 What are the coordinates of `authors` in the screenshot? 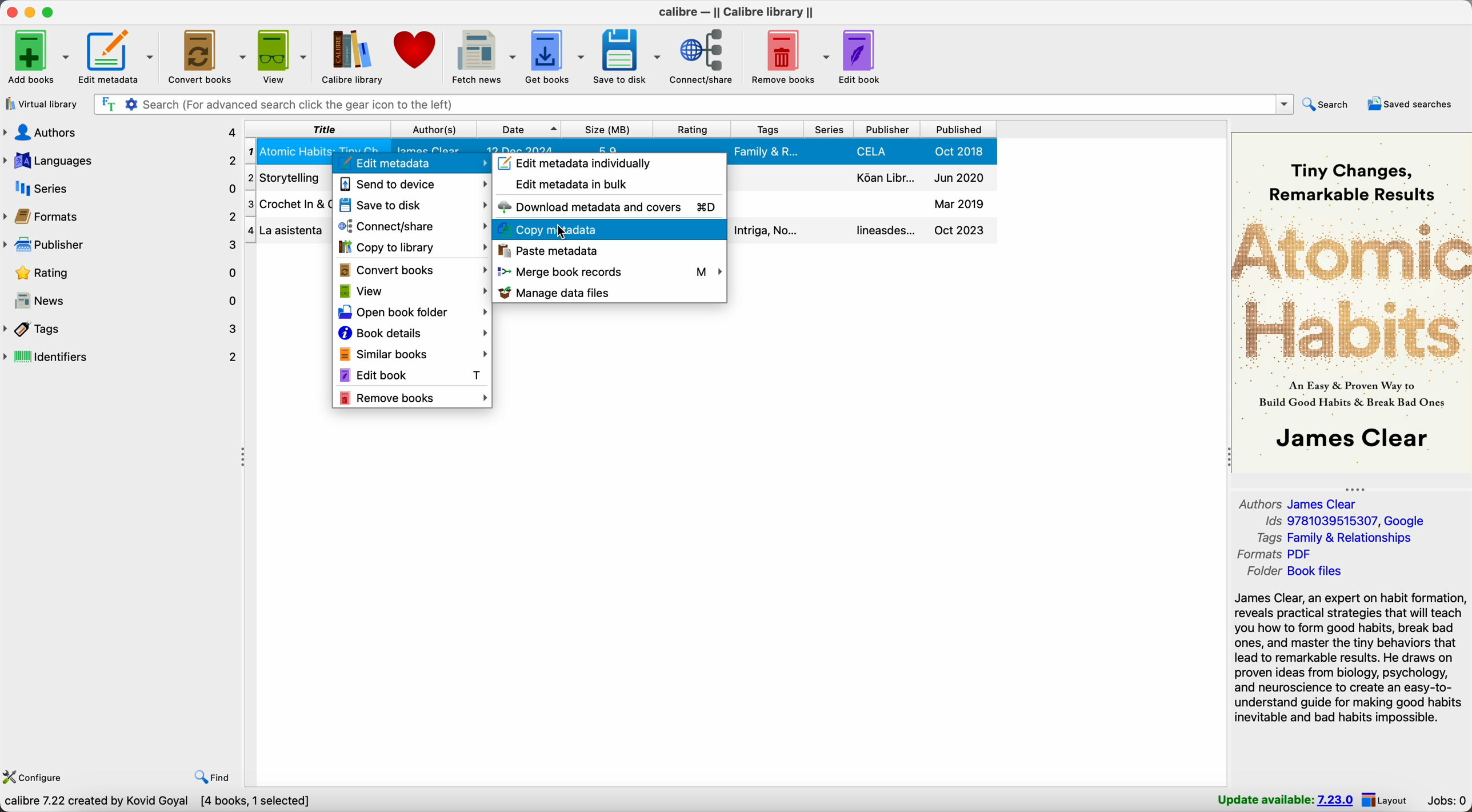 It's located at (122, 132).